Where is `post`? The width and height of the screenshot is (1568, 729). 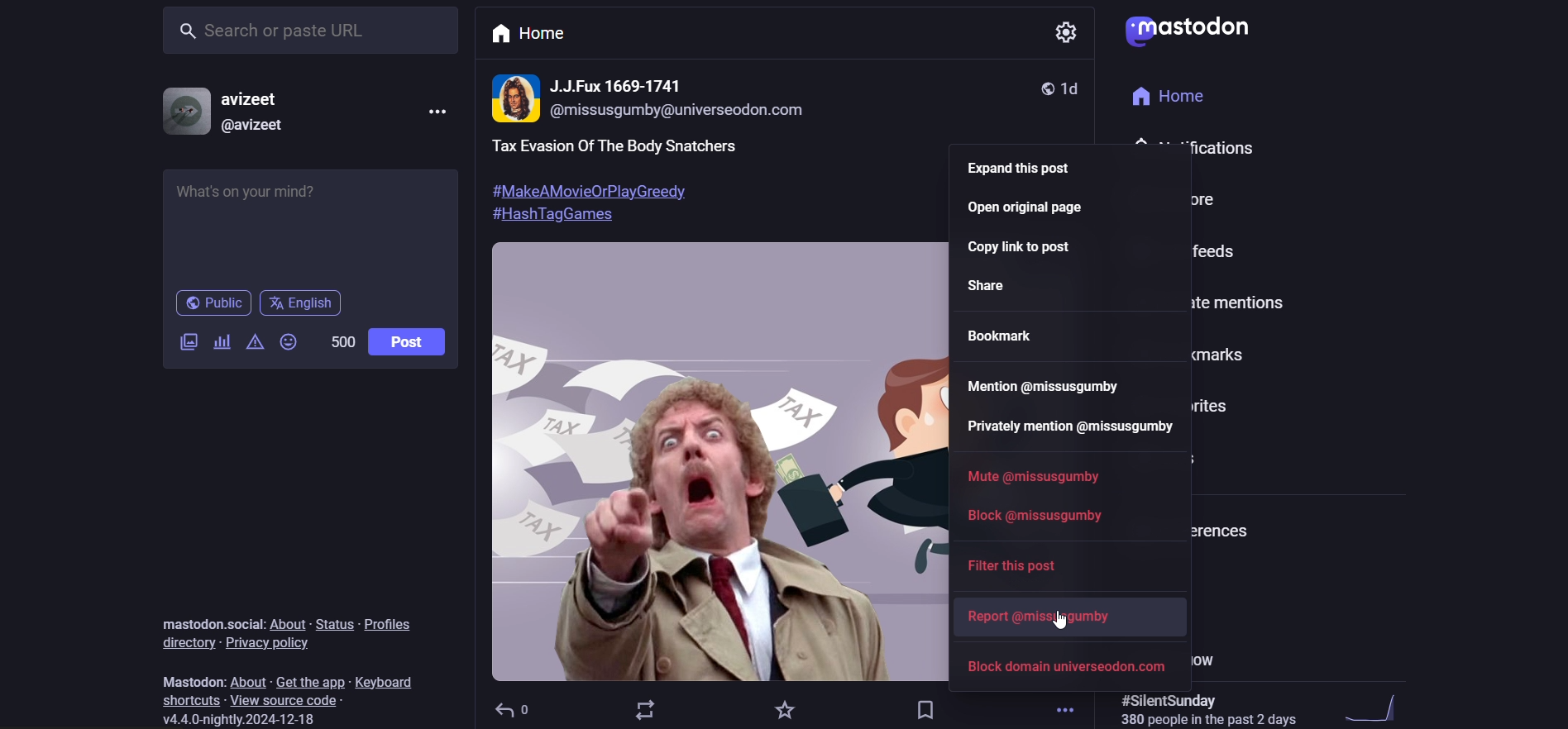 post is located at coordinates (409, 337).